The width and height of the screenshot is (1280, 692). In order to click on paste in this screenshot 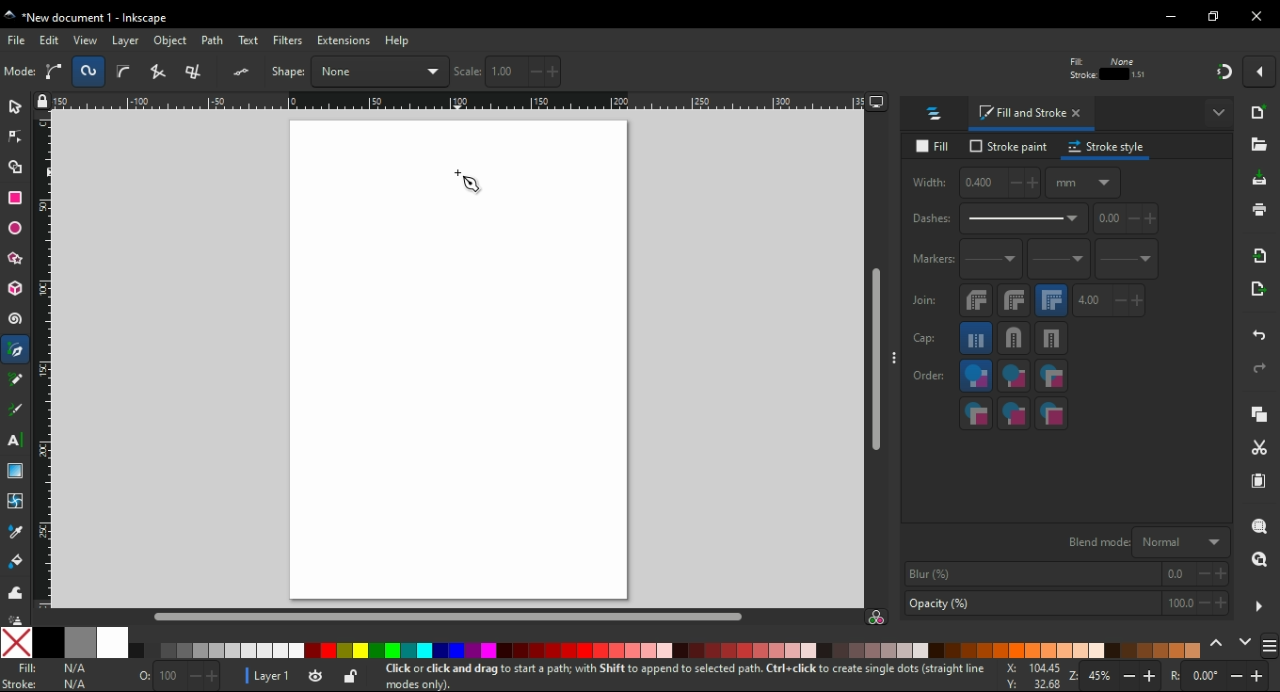, I will do `click(1258, 481)`.